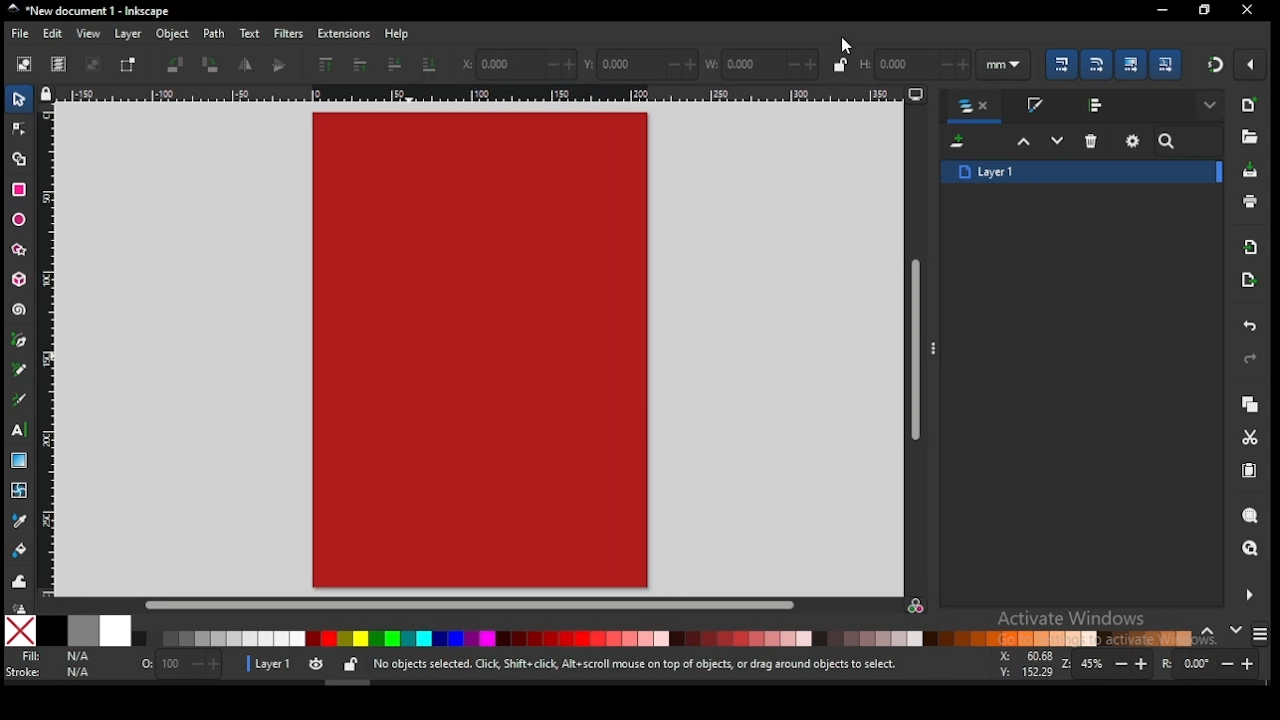  Describe the element at coordinates (83, 631) in the screenshot. I see `50% grey` at that location.